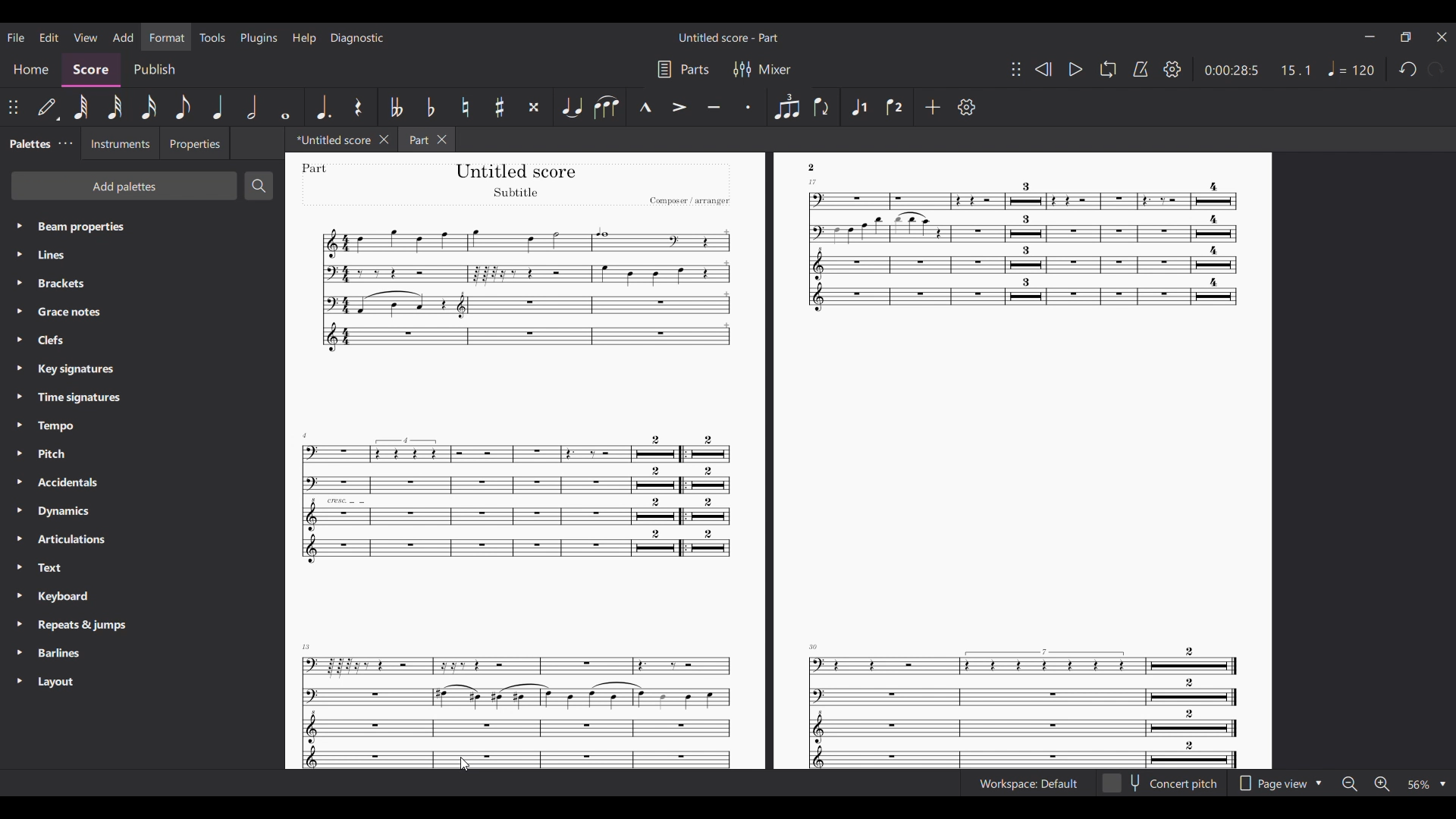  I want to click on Workspace Default, so click(1028, 784).